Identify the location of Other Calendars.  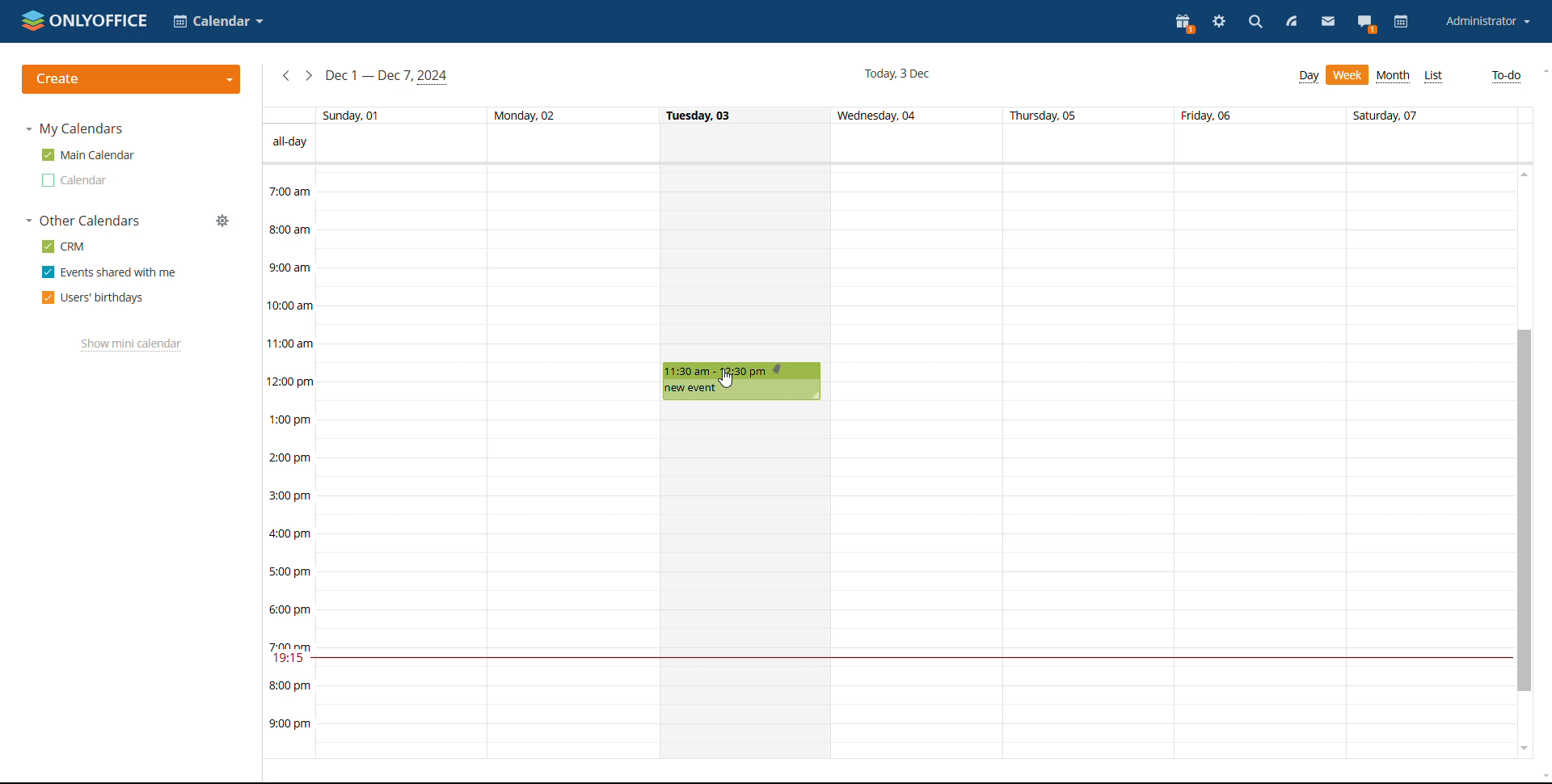
(84, 221).